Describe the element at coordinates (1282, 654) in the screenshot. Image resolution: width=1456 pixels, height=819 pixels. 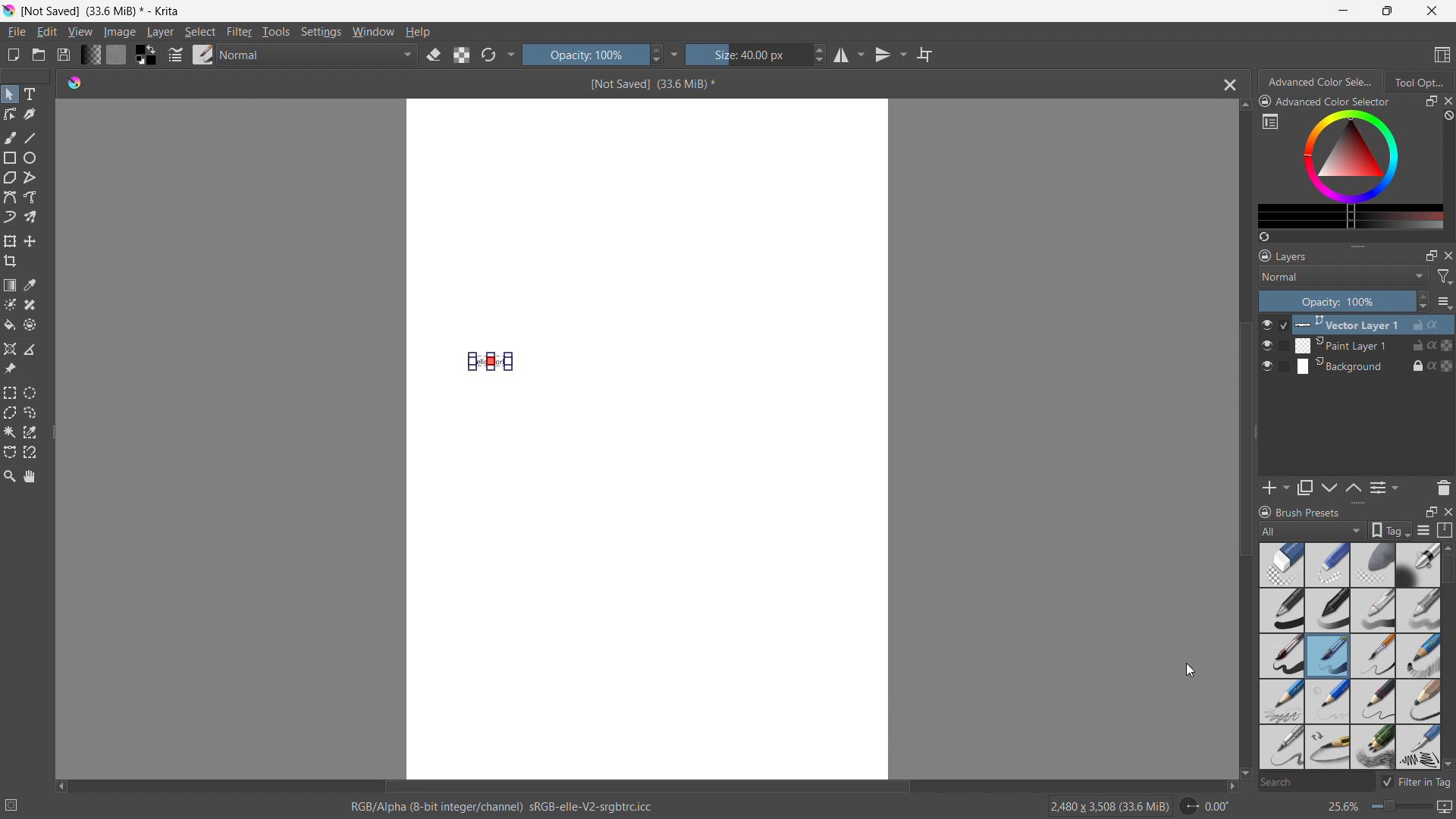
I see `Brush` at that location.